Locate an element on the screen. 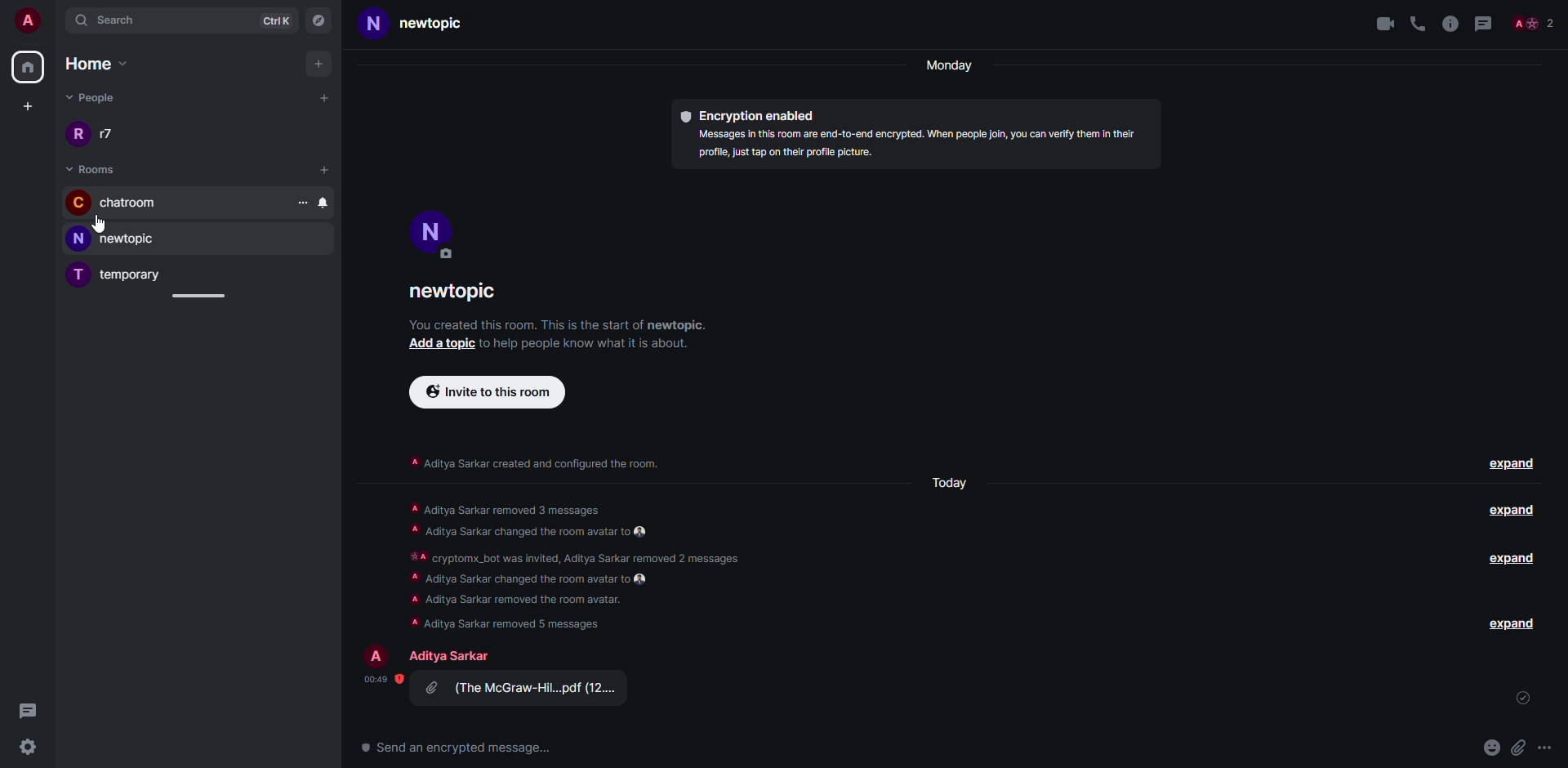 The height and width of the screenshot is (768, 1568). info is located at coordinates (546, 464).